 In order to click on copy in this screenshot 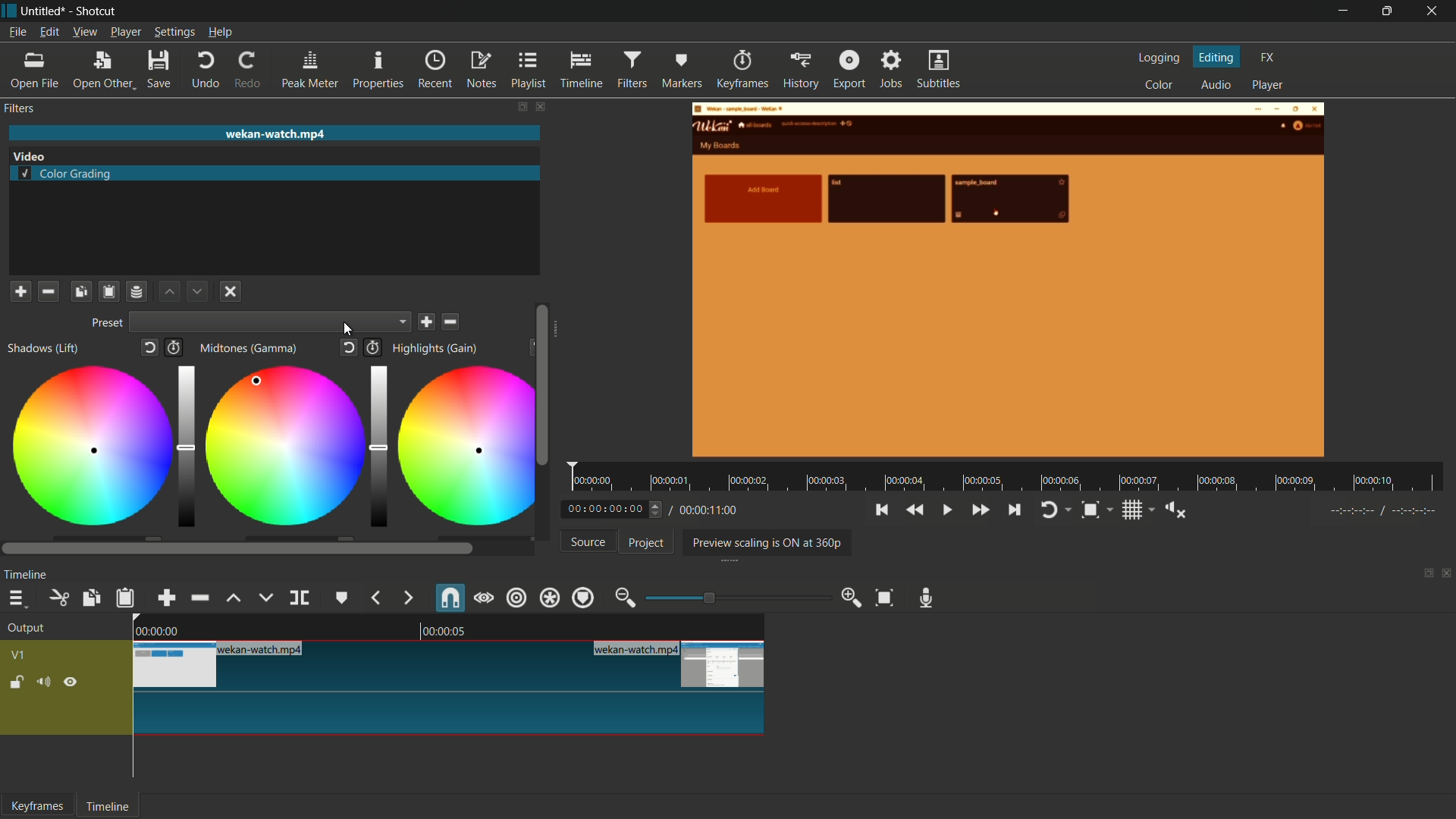, I will do `click(89, 598)`.